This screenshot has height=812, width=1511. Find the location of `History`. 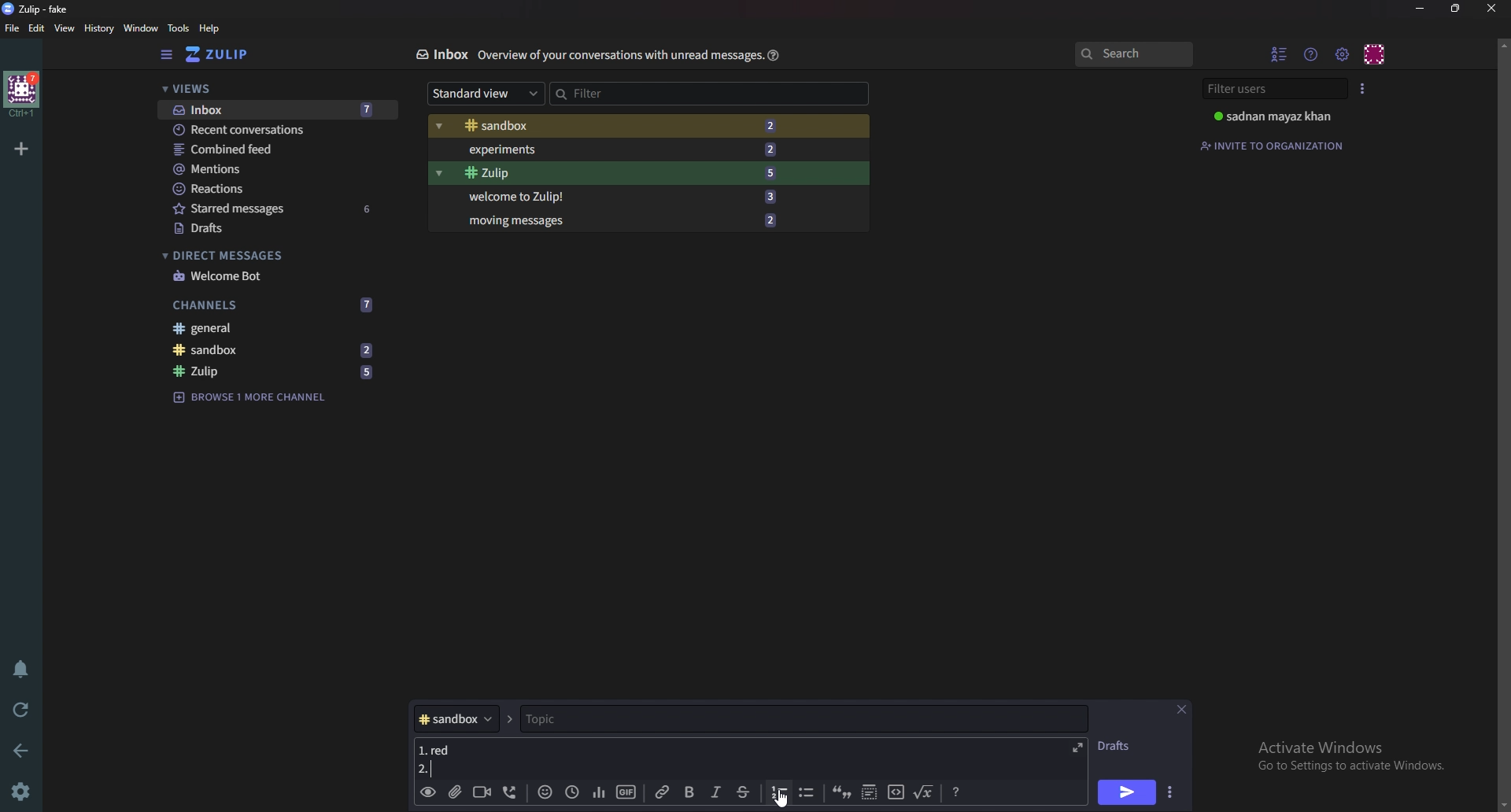

History is located at coordinates (98, 28).